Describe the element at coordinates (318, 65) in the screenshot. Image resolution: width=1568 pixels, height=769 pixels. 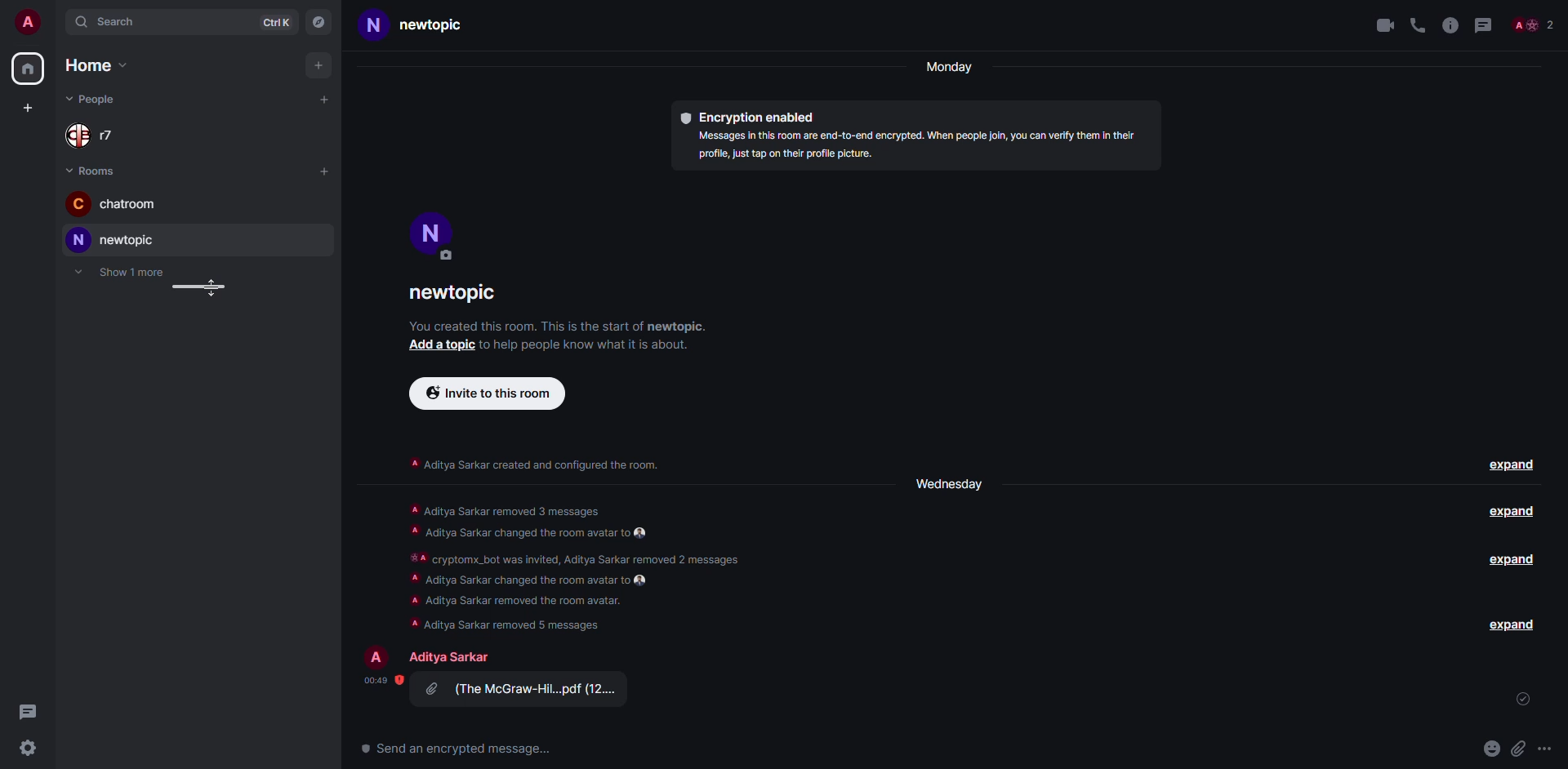
I see `add` at that location.